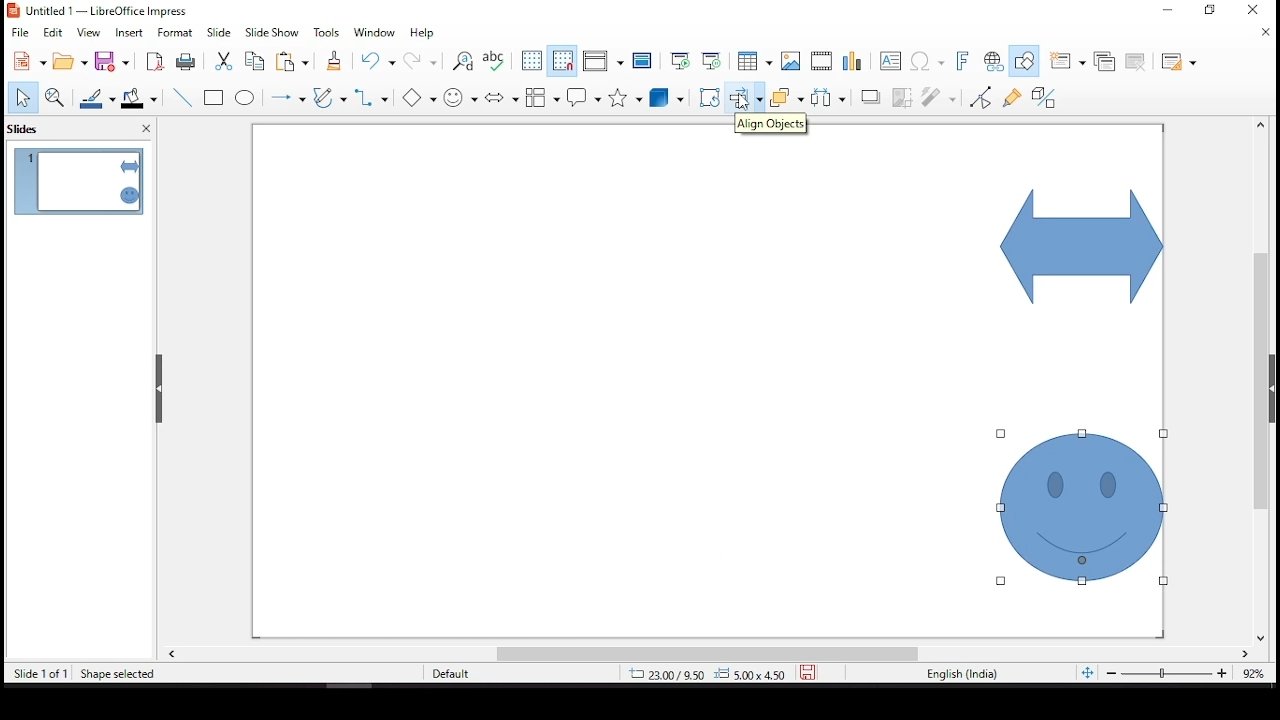 This screenshot has height=720, width=1280. What do you see at coordinates (1067, 60) in the screenshot?
I see `new slide` at bounding box center [1067, 60].